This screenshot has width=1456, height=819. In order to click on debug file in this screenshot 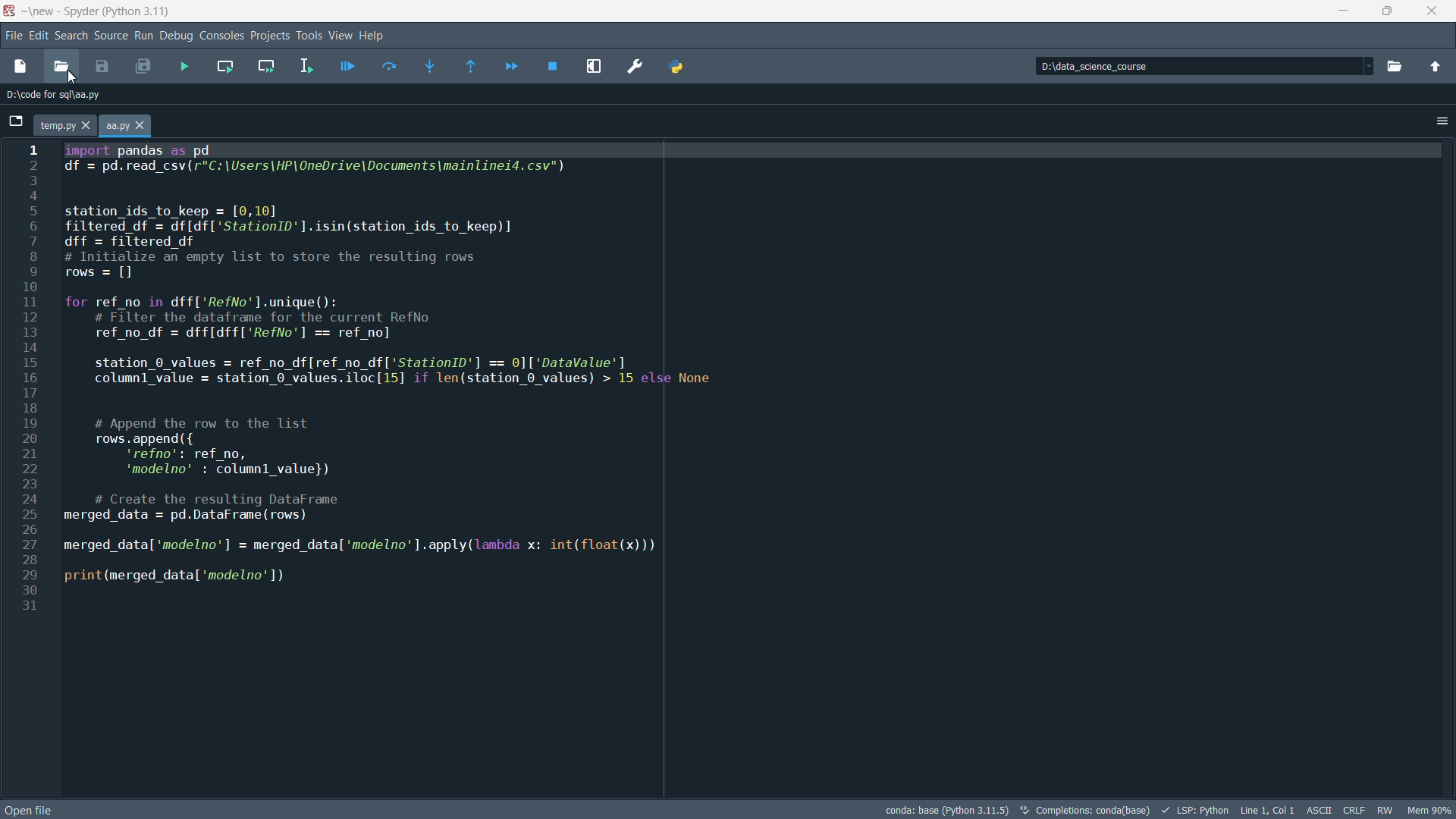, I will do `click(345, 65)`.